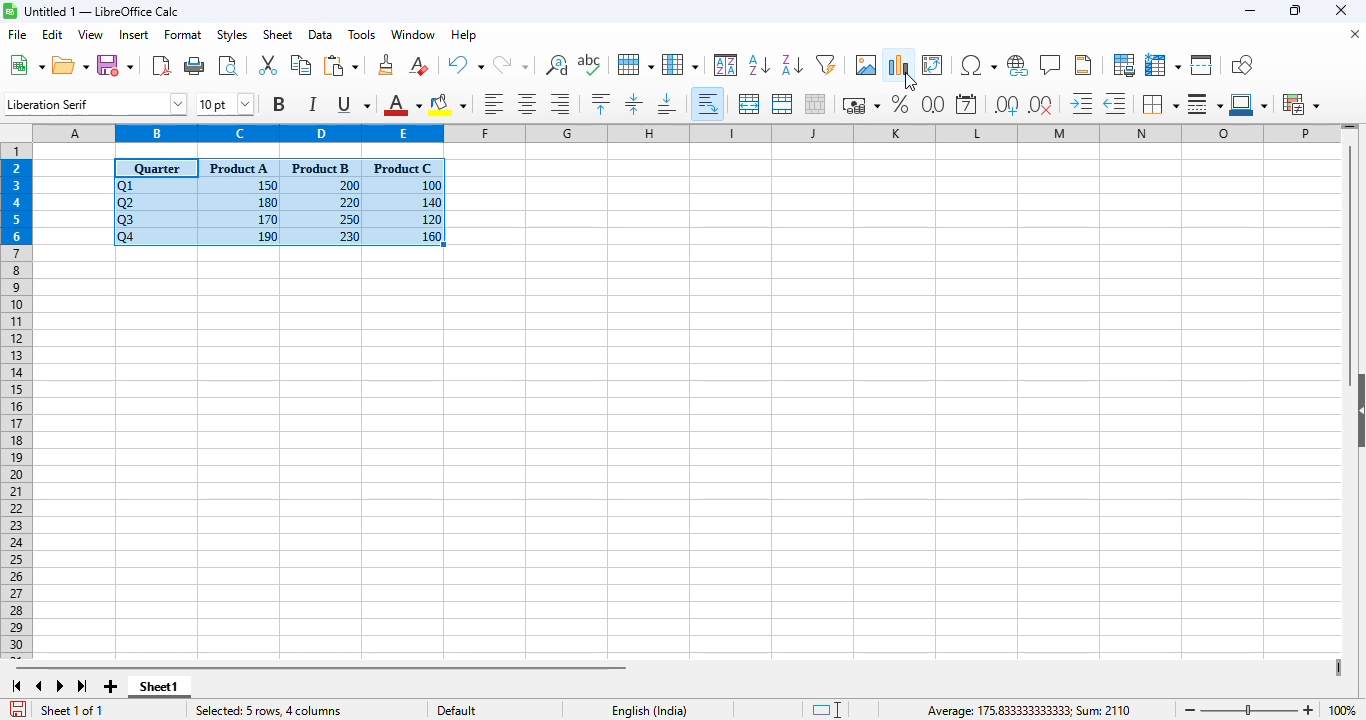  Describe the element at coordinates (267, 711) in the screenshot. I see `selected: 5 rows, 4 columns` at that location.